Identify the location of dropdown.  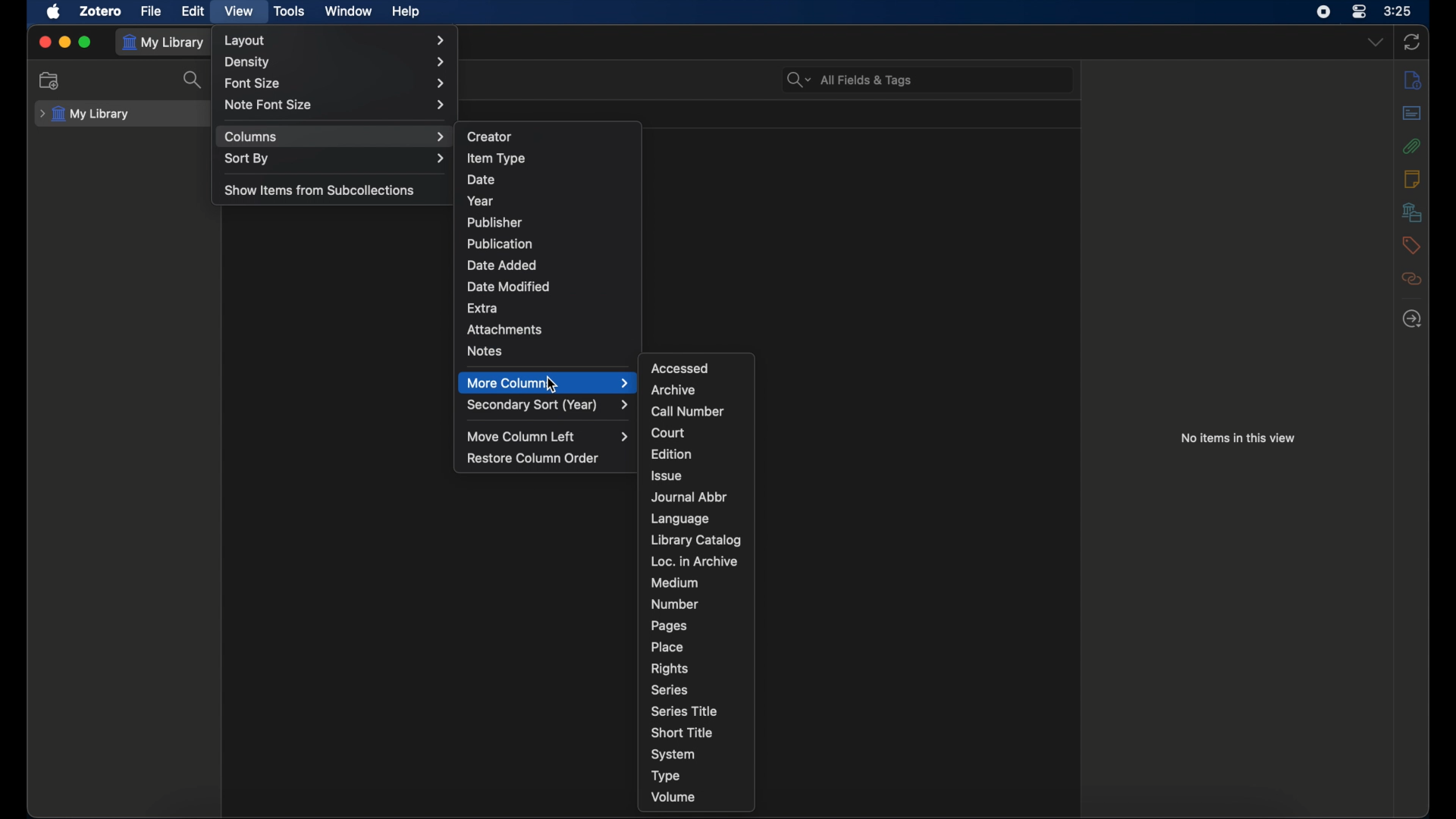
(1374, 42).